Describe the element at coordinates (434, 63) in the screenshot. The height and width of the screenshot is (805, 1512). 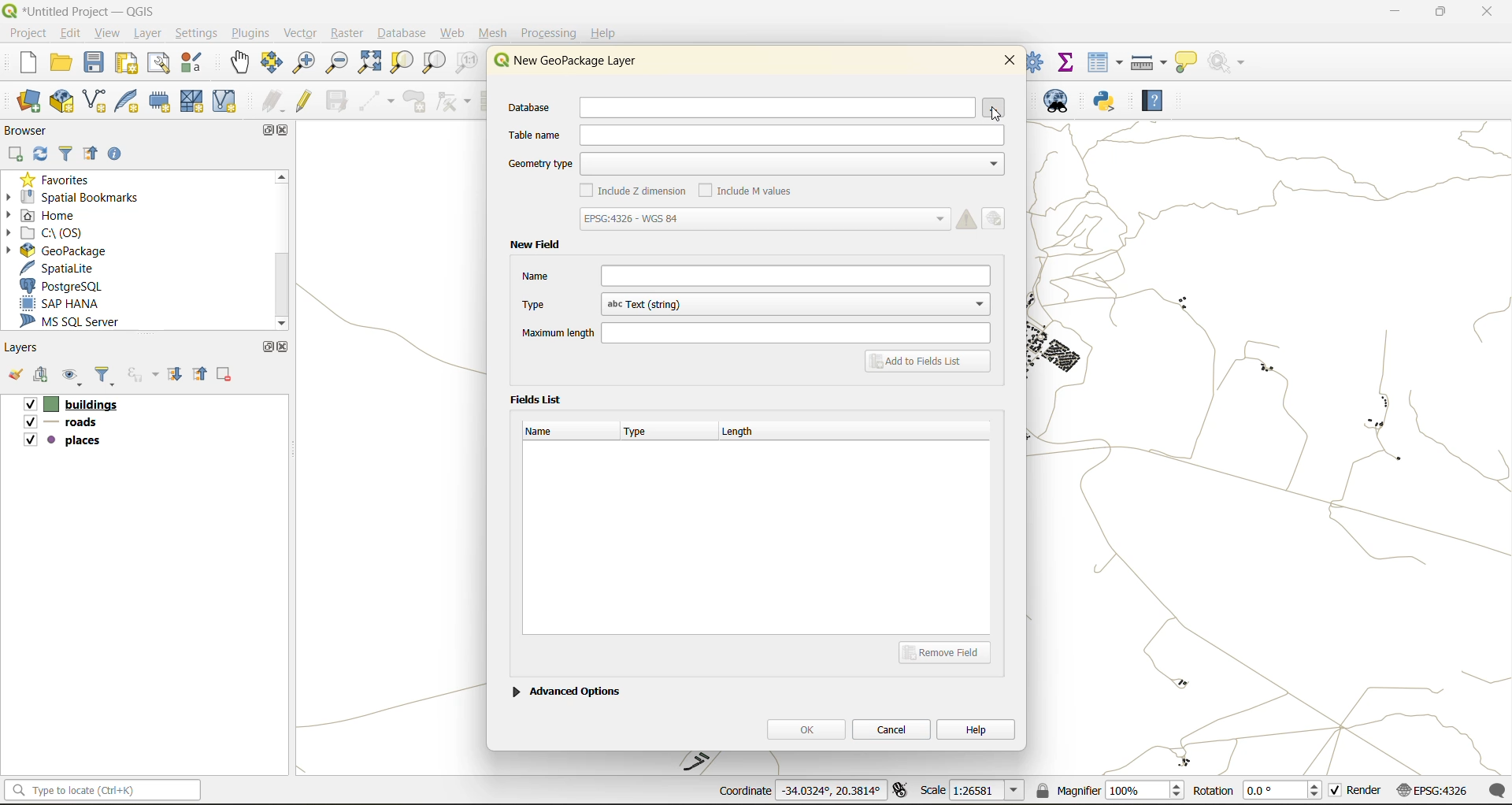
I see `zoom layer` at that location.